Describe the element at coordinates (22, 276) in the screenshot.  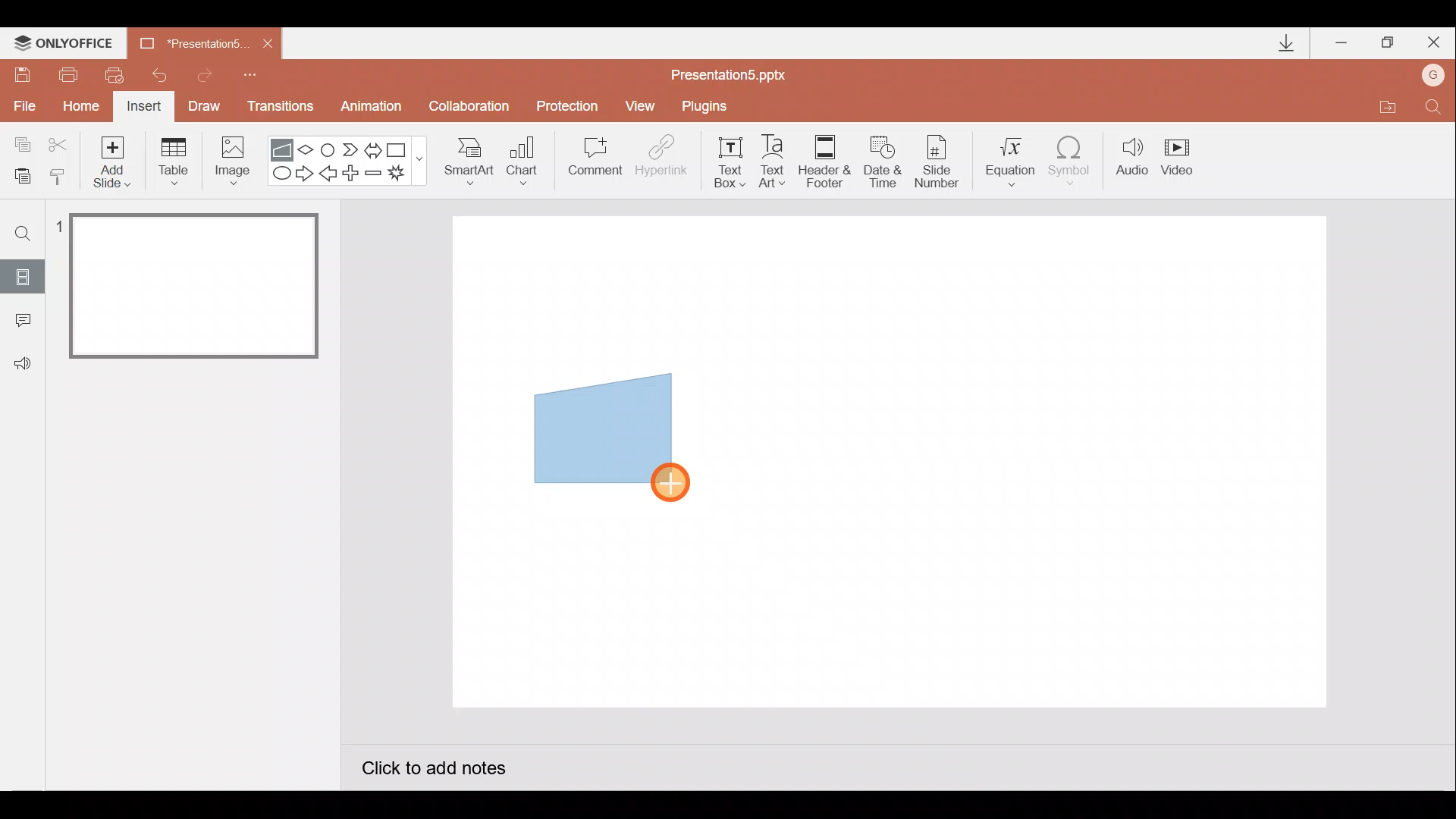
I see `Slides` at that location.